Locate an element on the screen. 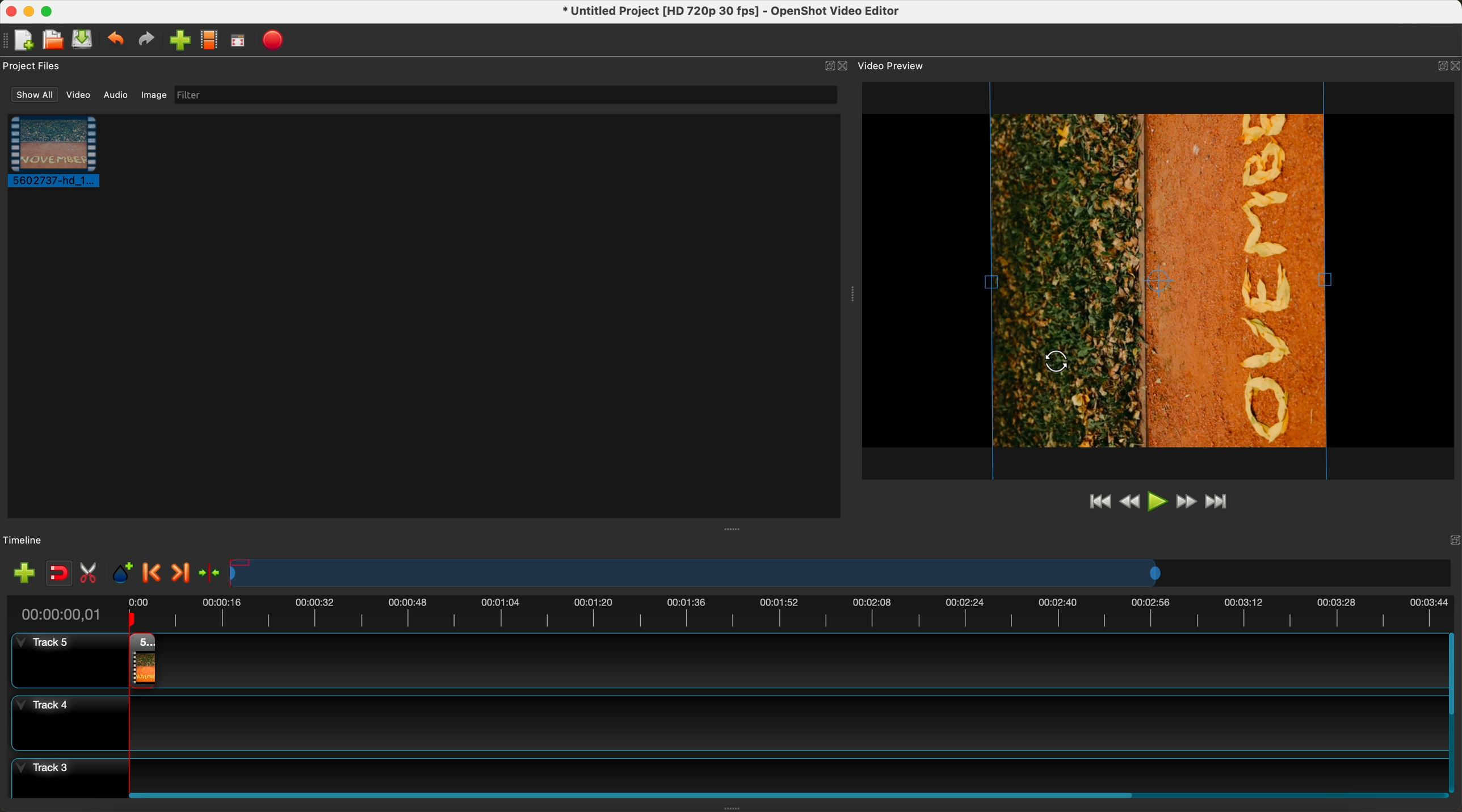  add track is located at coordinates (24, 573).